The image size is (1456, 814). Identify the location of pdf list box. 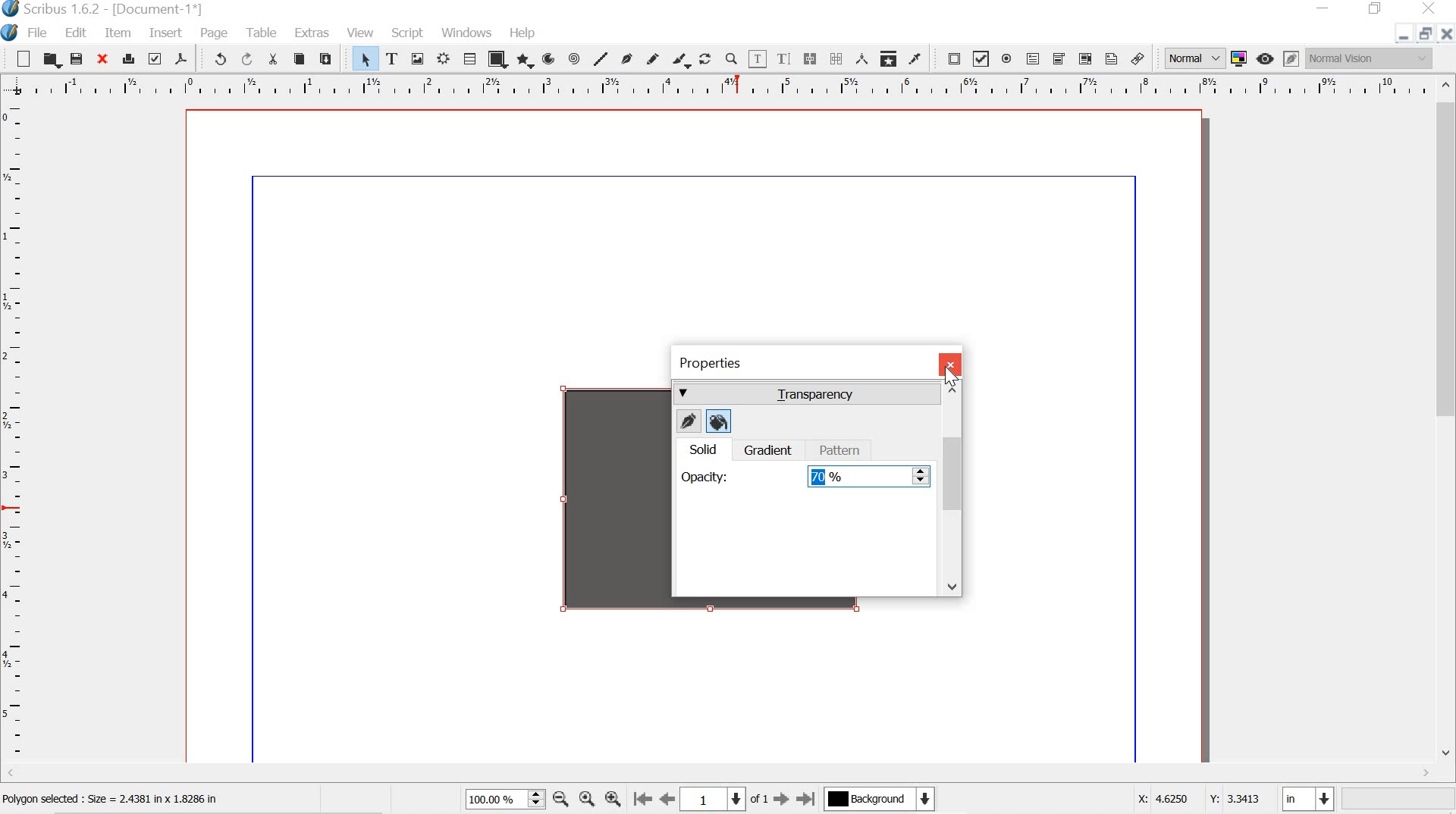
(1084, 58).